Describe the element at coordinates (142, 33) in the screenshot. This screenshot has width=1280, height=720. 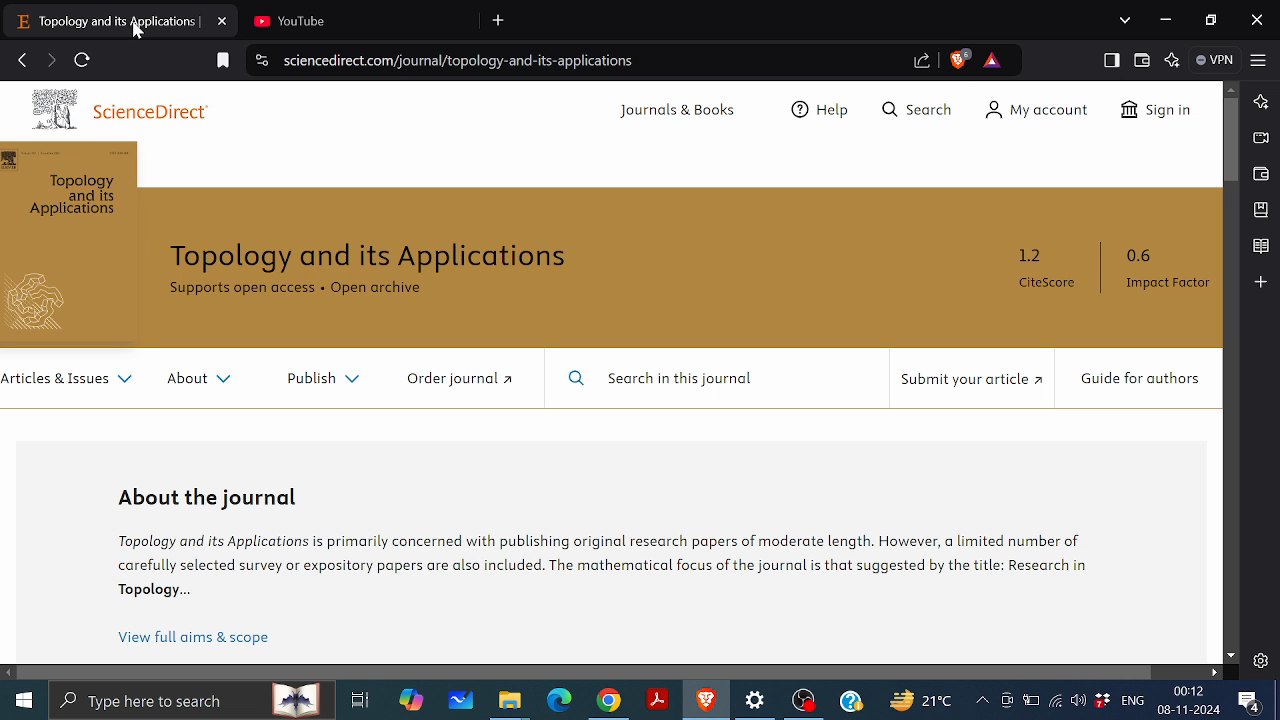
I see `cursor` at that location.